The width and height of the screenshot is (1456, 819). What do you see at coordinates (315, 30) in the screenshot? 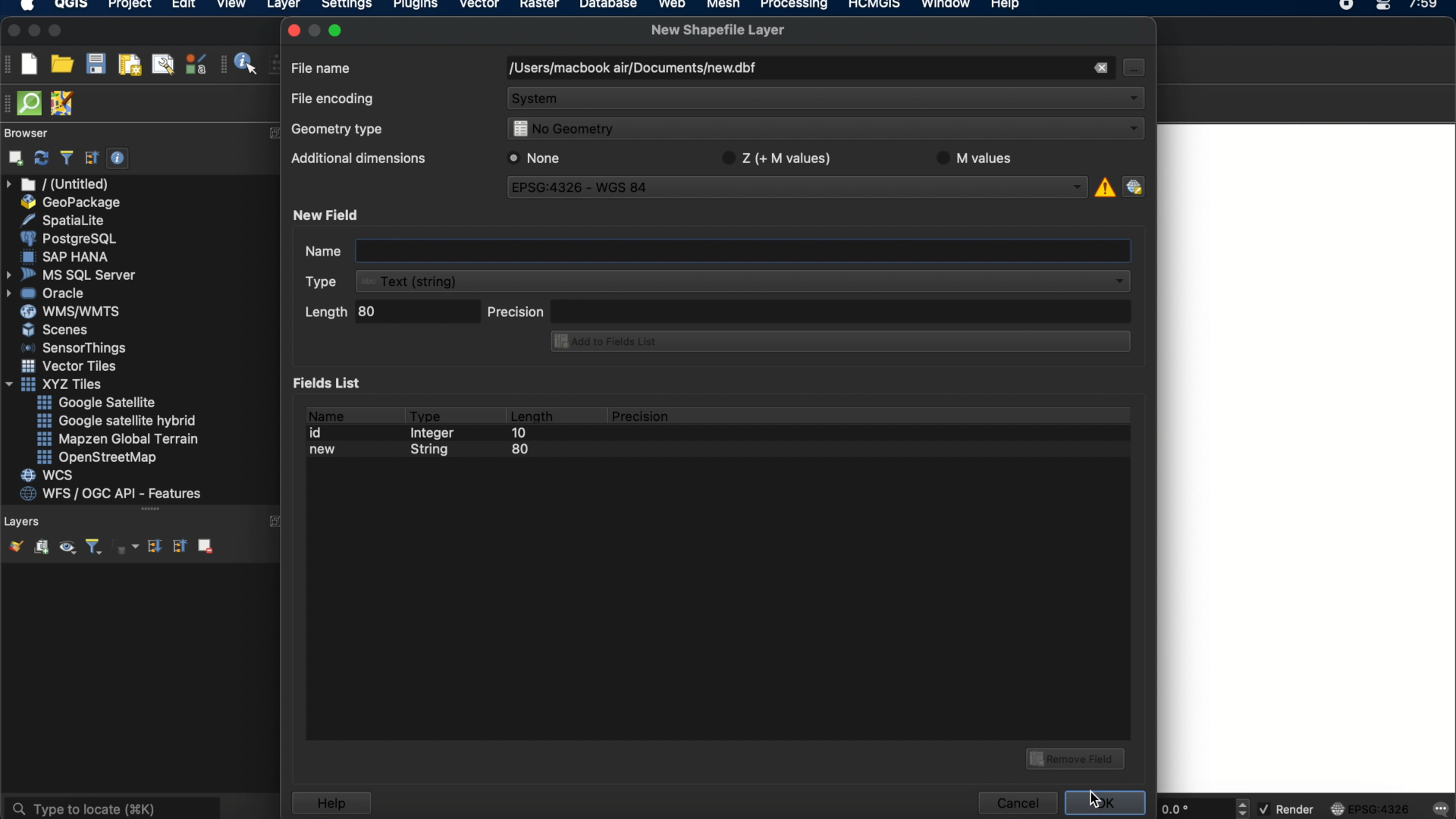
I see `inactive minimize icon` at bounding box center [315, 30].